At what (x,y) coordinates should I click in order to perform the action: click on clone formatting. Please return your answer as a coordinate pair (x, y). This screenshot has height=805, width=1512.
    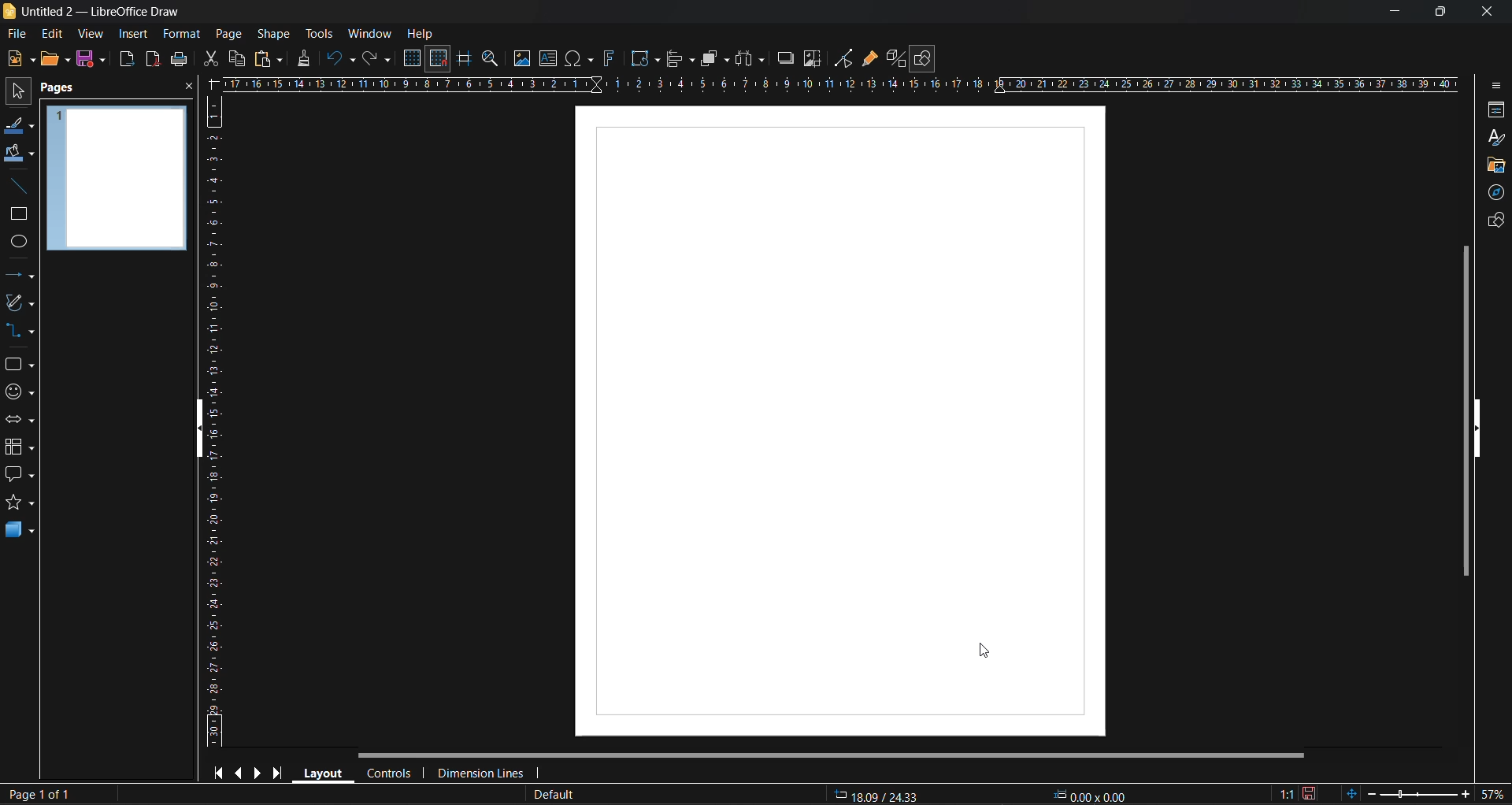
    Looking at the image, I should click on (308, 60).